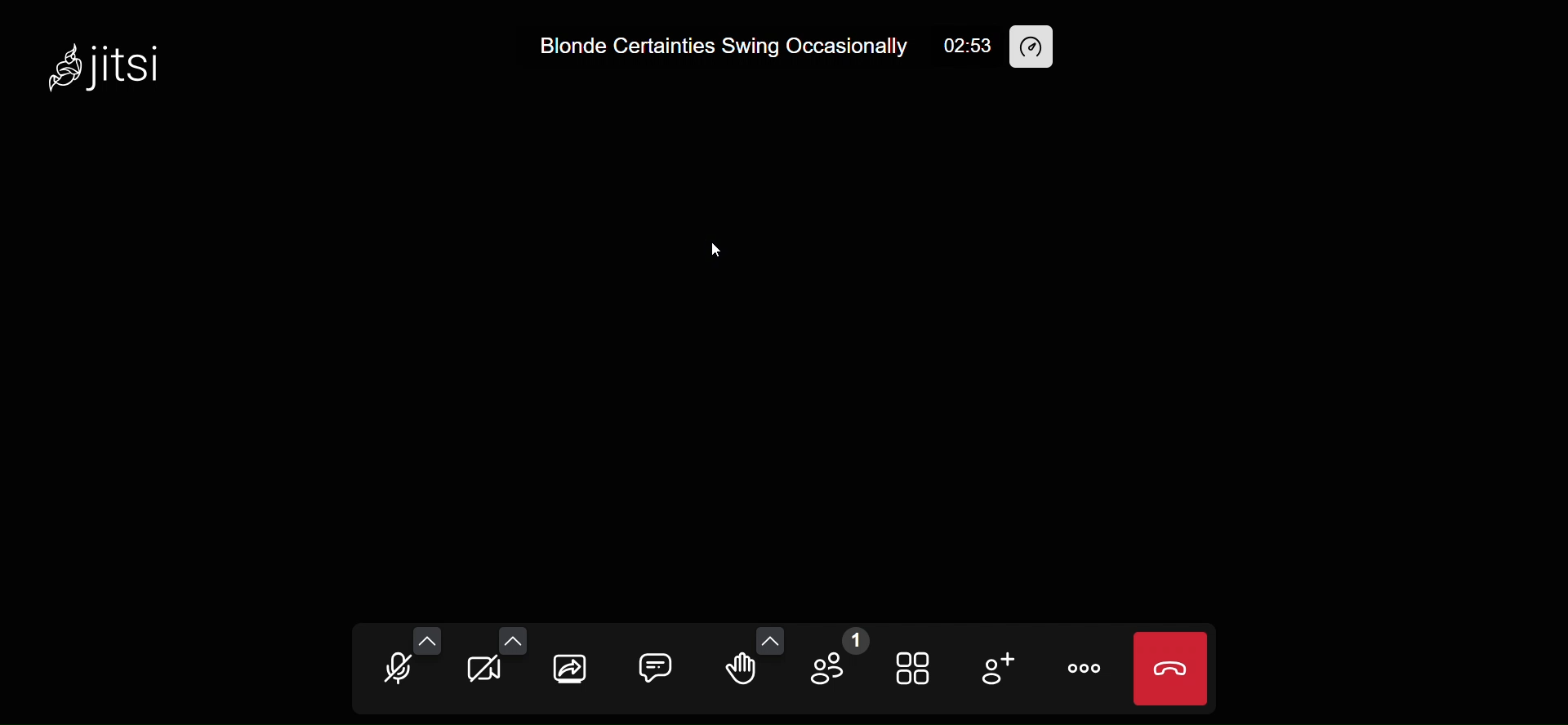  Describe the element at coordinates (1038, 47) in the screenshot. I see `performance setting` at that location.